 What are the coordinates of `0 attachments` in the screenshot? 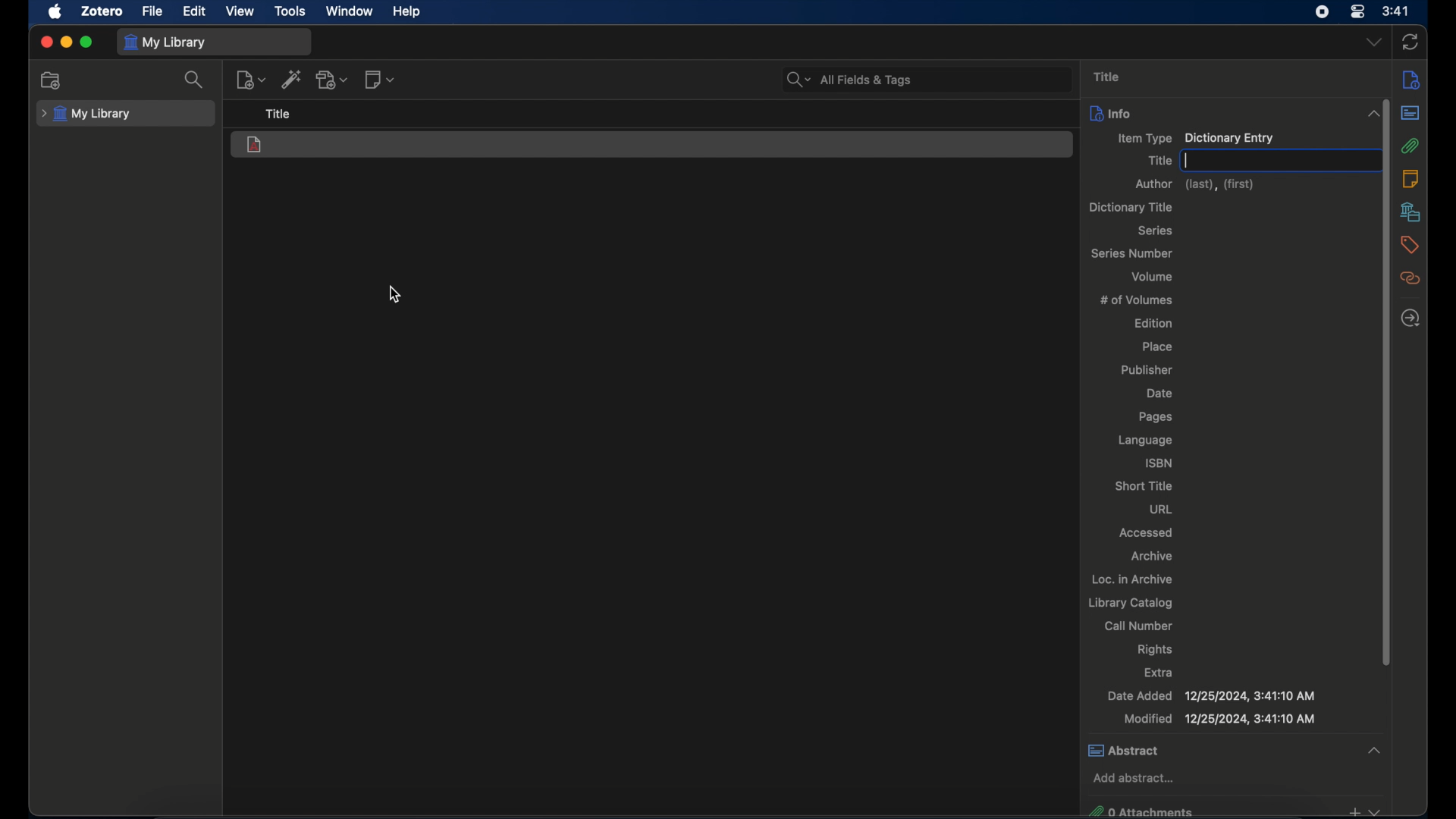 It's located at (1233, 810).